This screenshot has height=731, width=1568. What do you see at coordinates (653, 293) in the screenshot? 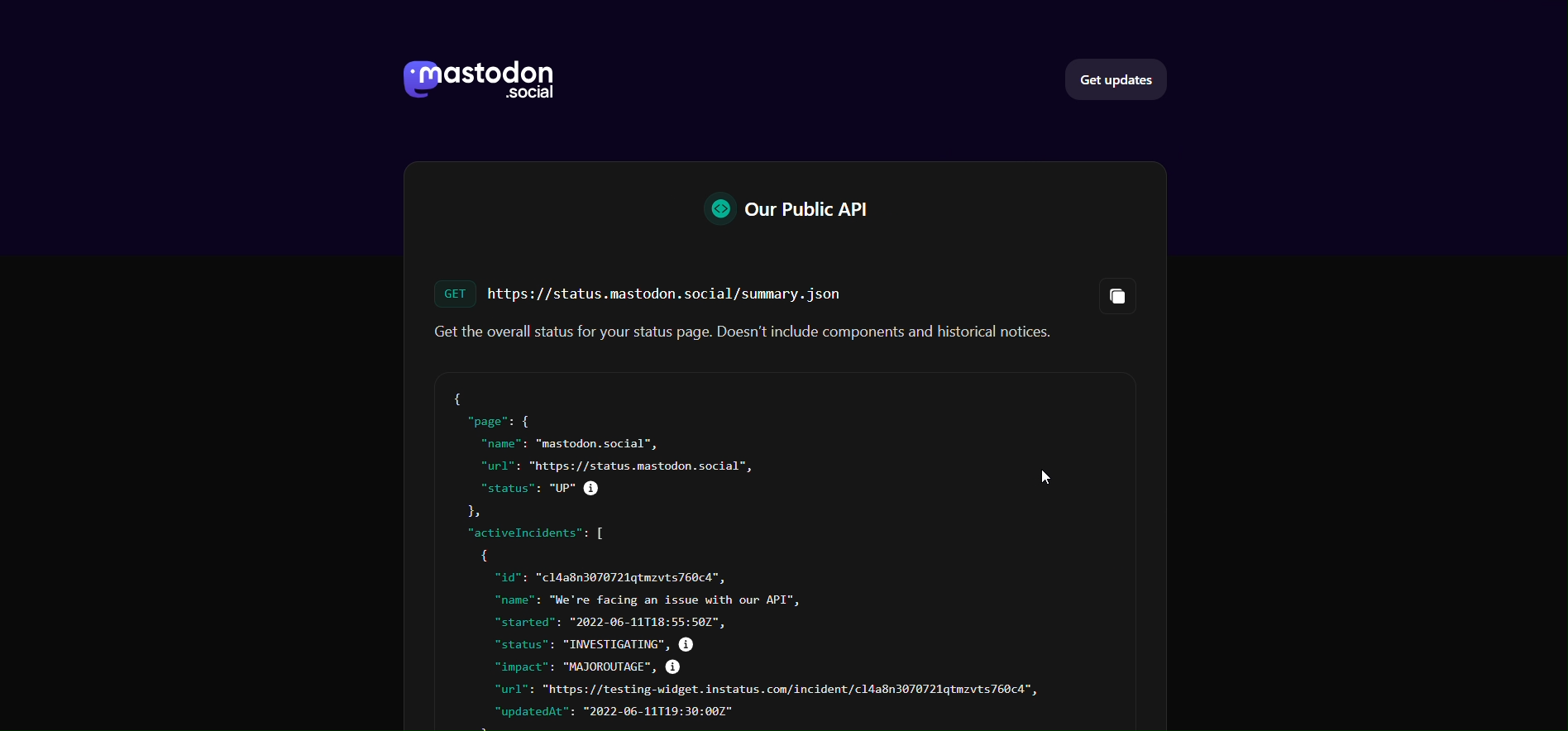
I see `Link FOR STATUS` at bounding box center [653, 293].